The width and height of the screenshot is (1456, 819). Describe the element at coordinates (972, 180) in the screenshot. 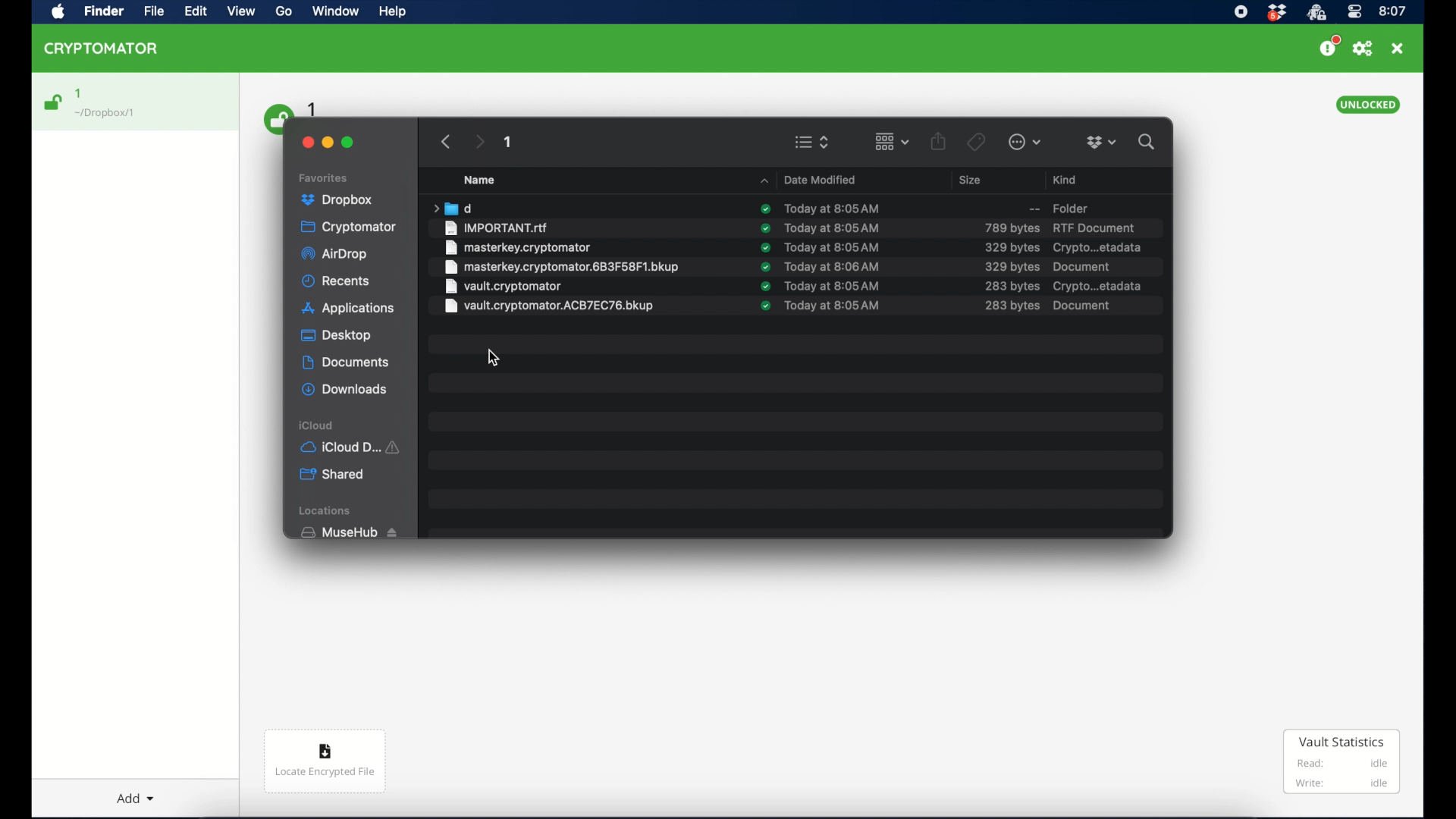

I see `size` at that location.